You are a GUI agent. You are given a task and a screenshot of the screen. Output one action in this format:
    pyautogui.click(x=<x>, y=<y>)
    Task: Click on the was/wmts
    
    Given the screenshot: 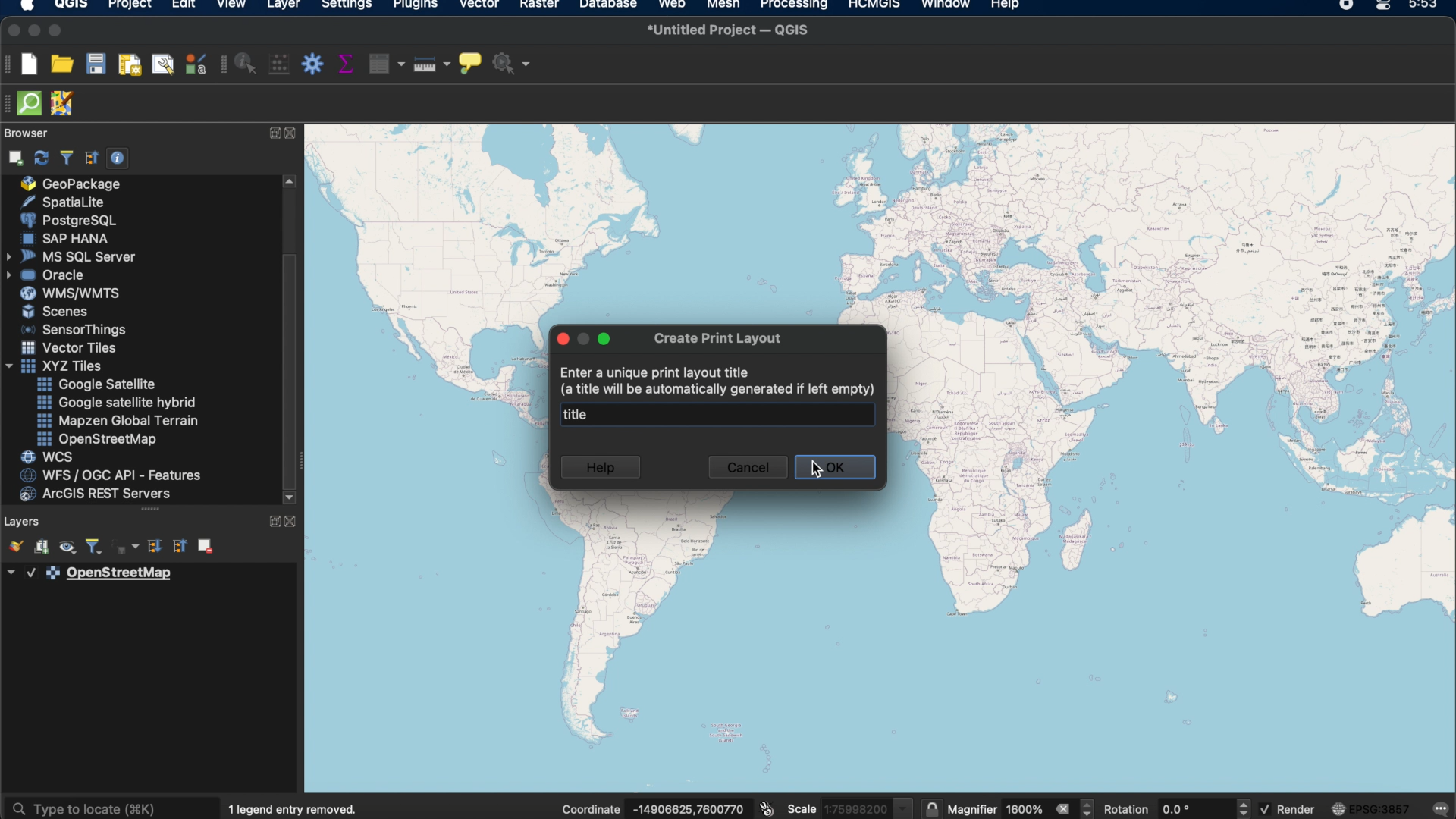 What is the action you would take?
    pyautogui.click(x=69, y=294)
    